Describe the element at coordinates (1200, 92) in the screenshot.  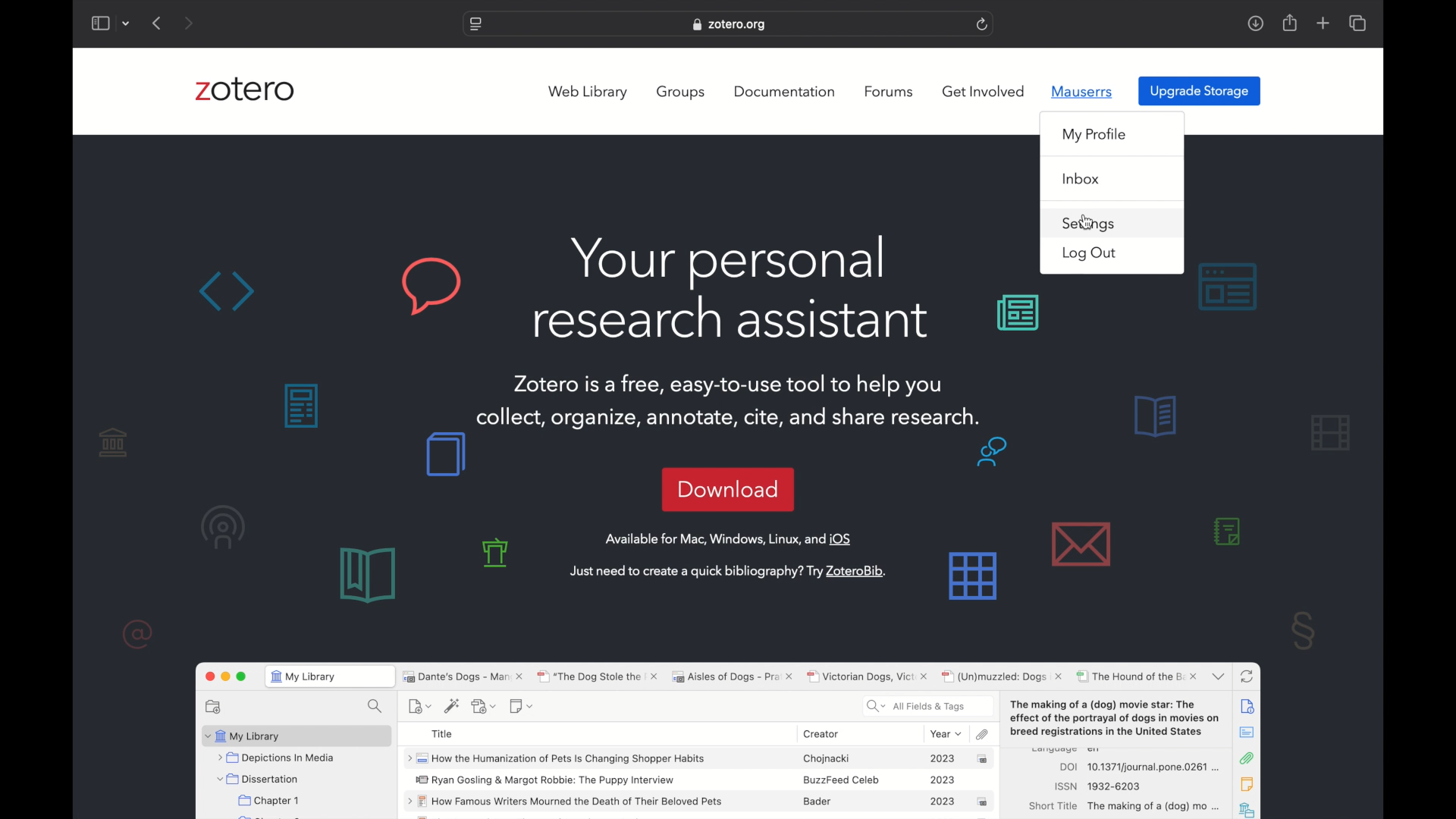
I see `upgrade storage` at that location.